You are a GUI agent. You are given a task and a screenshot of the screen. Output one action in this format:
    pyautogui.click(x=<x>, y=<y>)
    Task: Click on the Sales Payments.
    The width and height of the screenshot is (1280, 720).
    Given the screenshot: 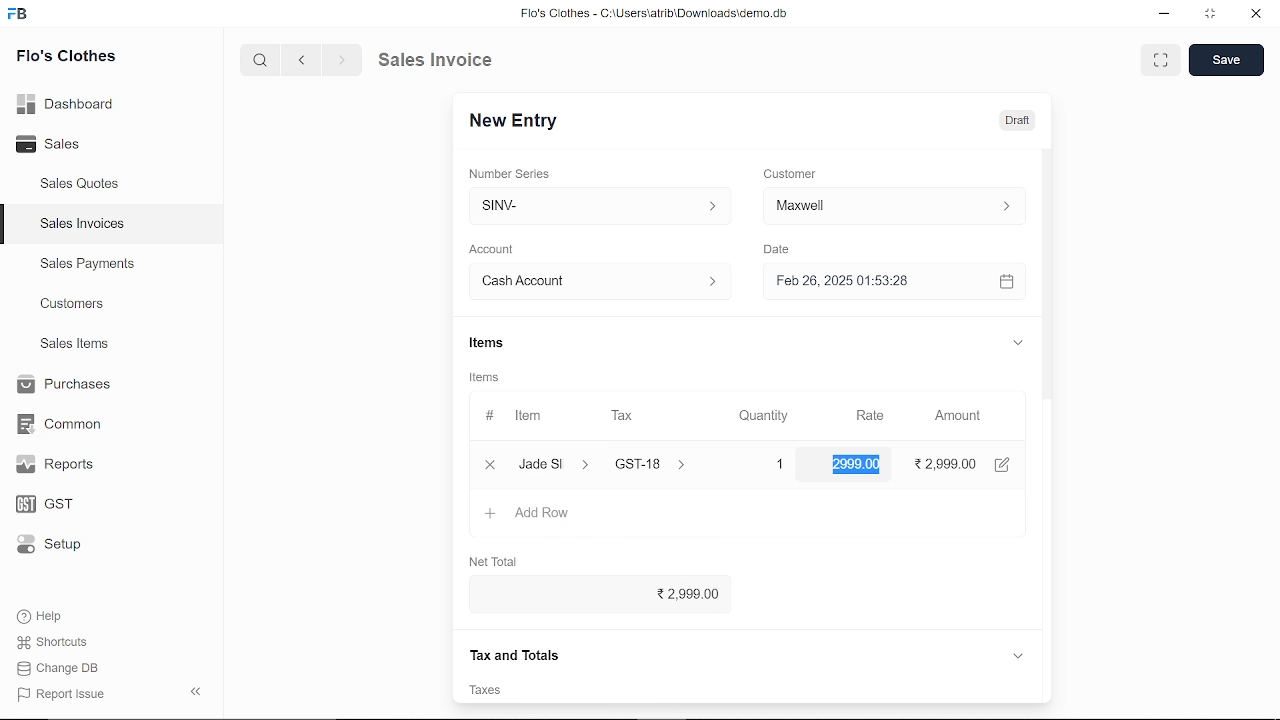 What is the action you would take?
    pyautogui.click(x=86, y=264)
    